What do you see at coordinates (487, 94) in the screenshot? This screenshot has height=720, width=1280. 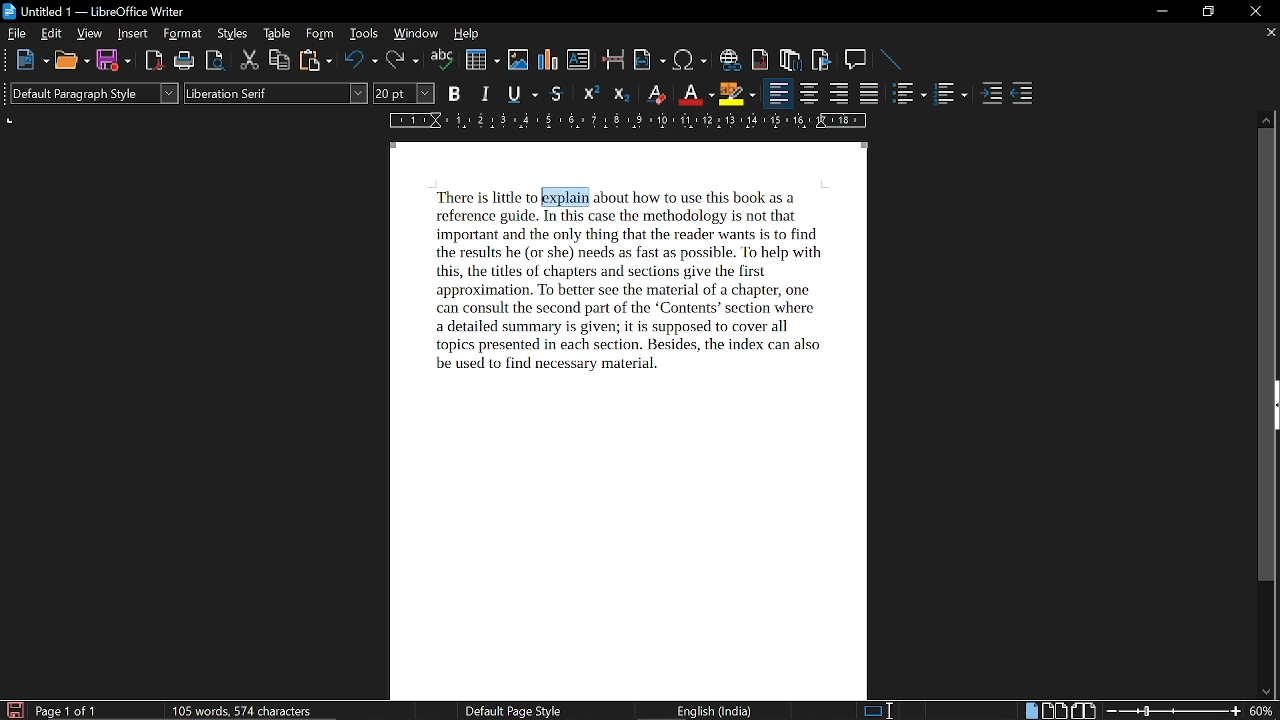 I see `italic` at bounding box center [487, 94].